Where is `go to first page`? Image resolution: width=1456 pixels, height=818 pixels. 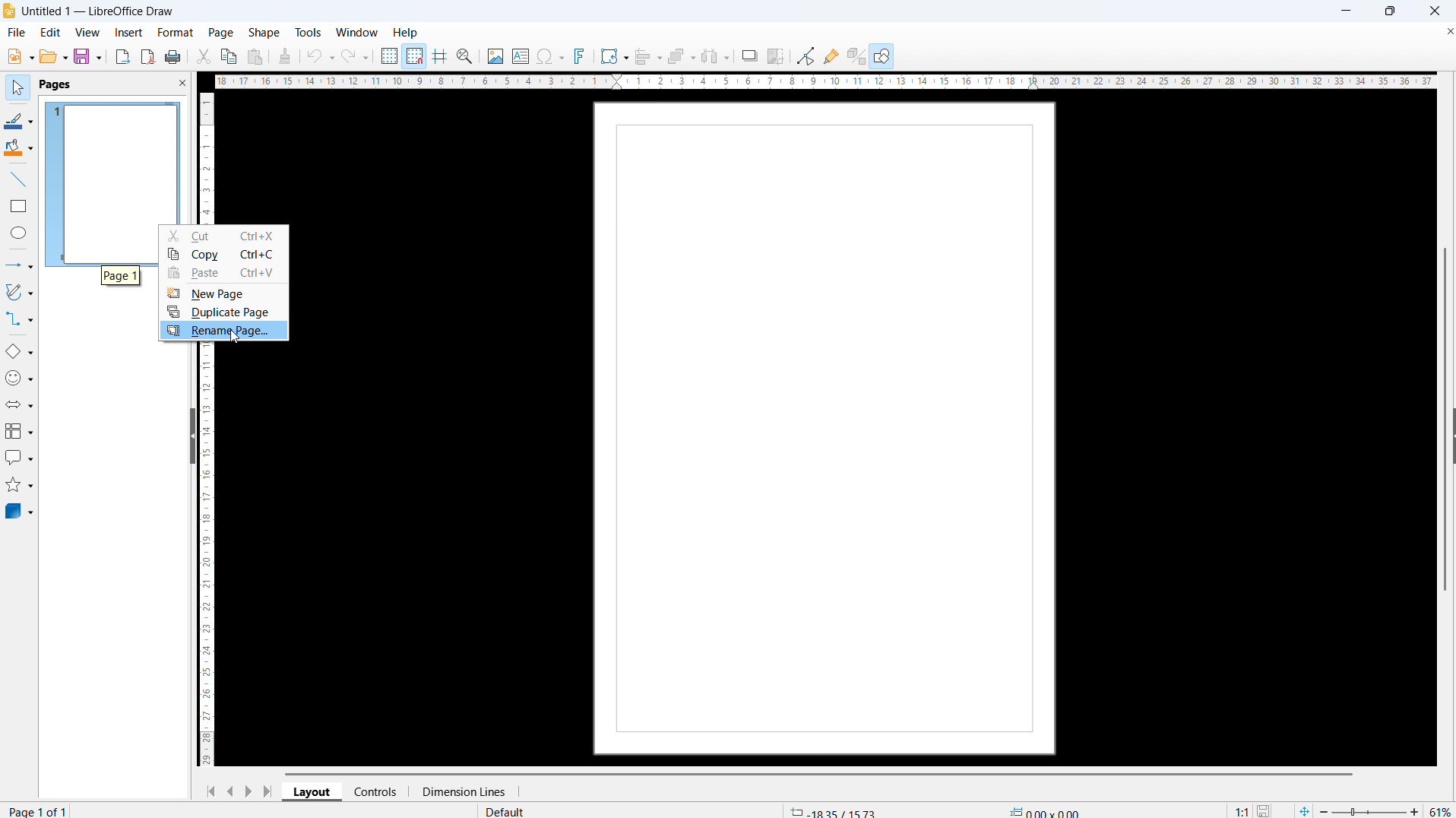
go to first page is located at coordinates (209, 791).